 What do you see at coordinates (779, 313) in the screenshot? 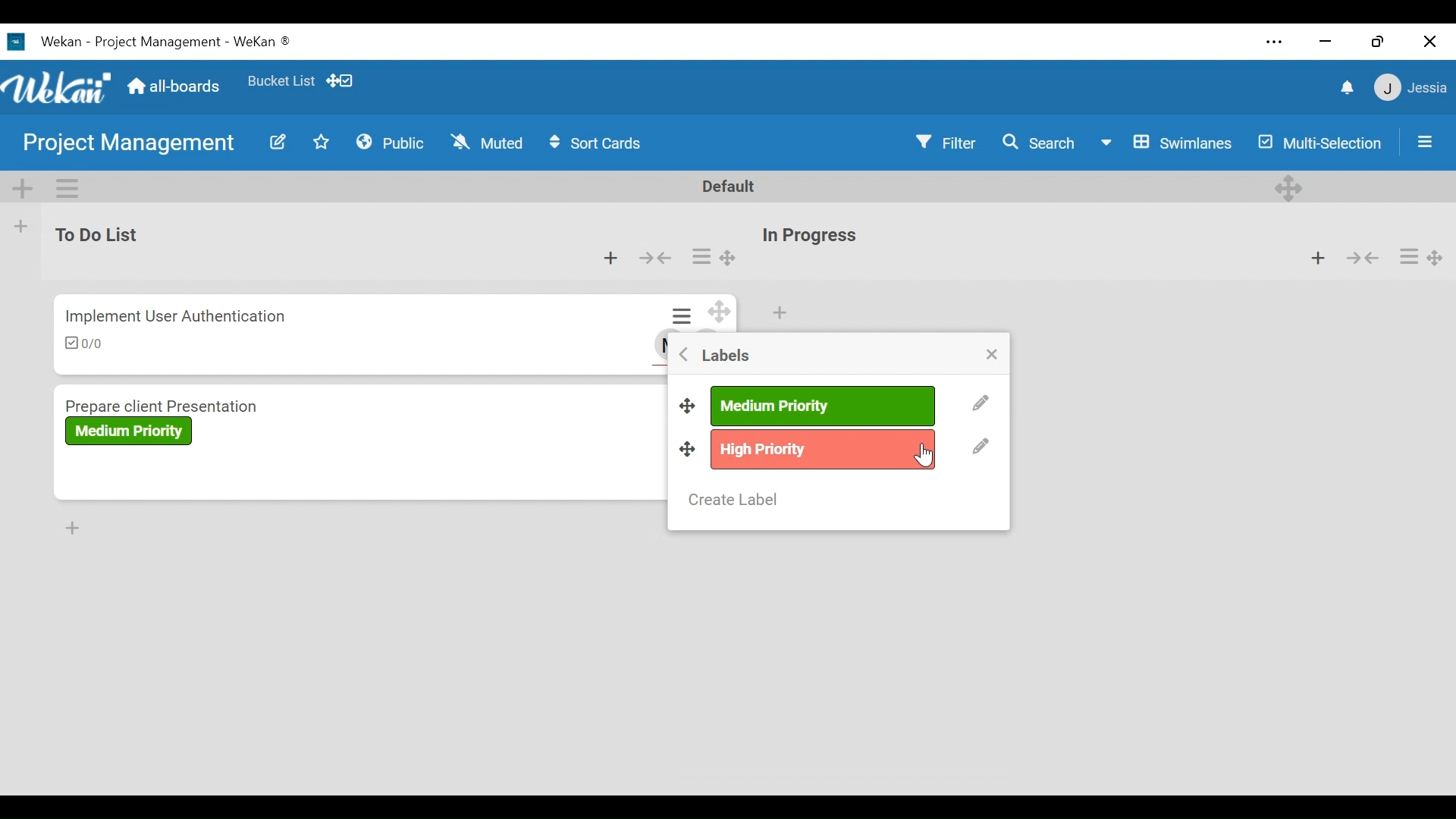
I see `Add card to top of the list` at bounding box center [779, 313].